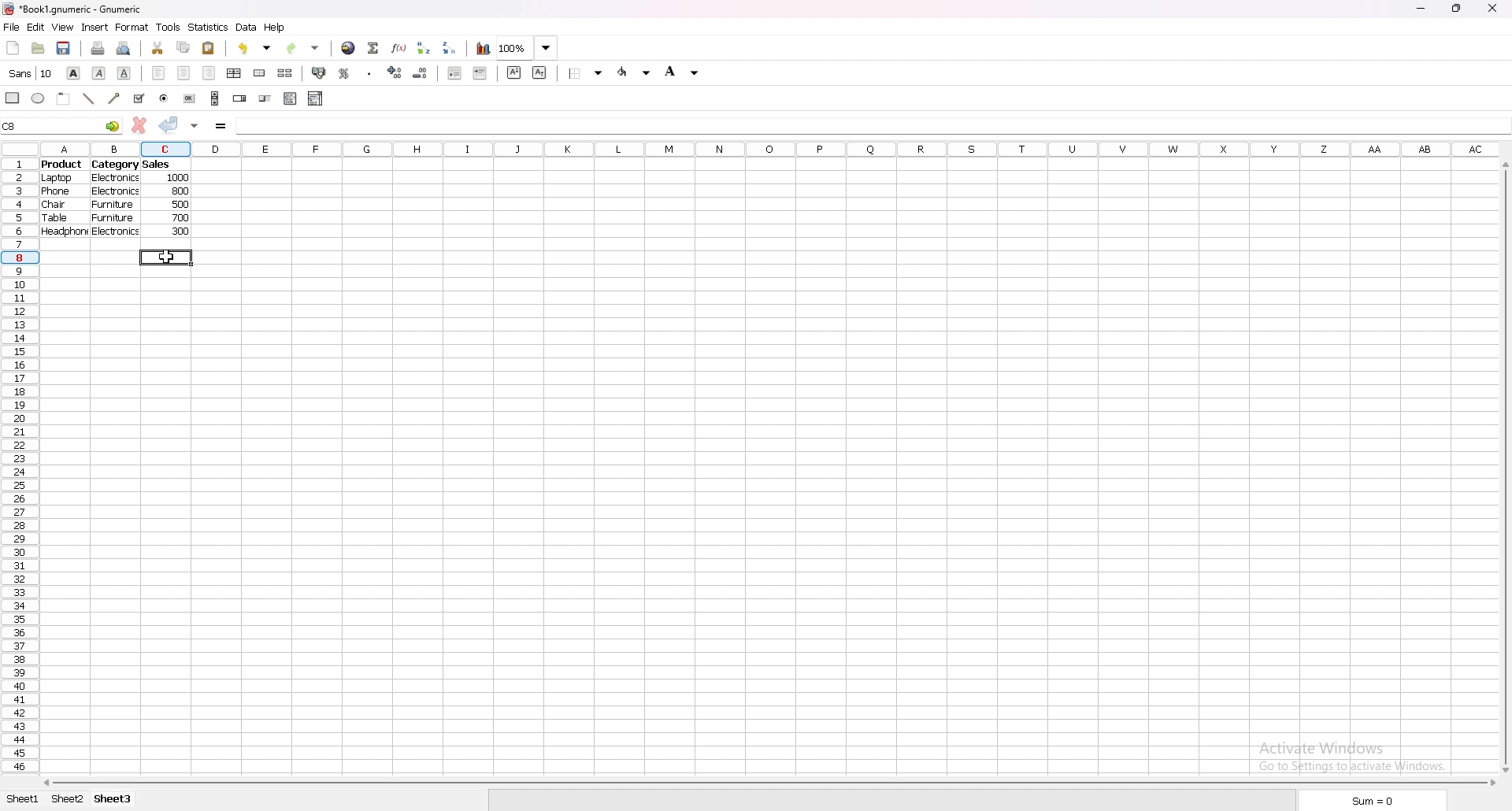  What do you see at coordinates (65, 232) in the screenshot?
I see `headphone` at bounding box center [65, 232].